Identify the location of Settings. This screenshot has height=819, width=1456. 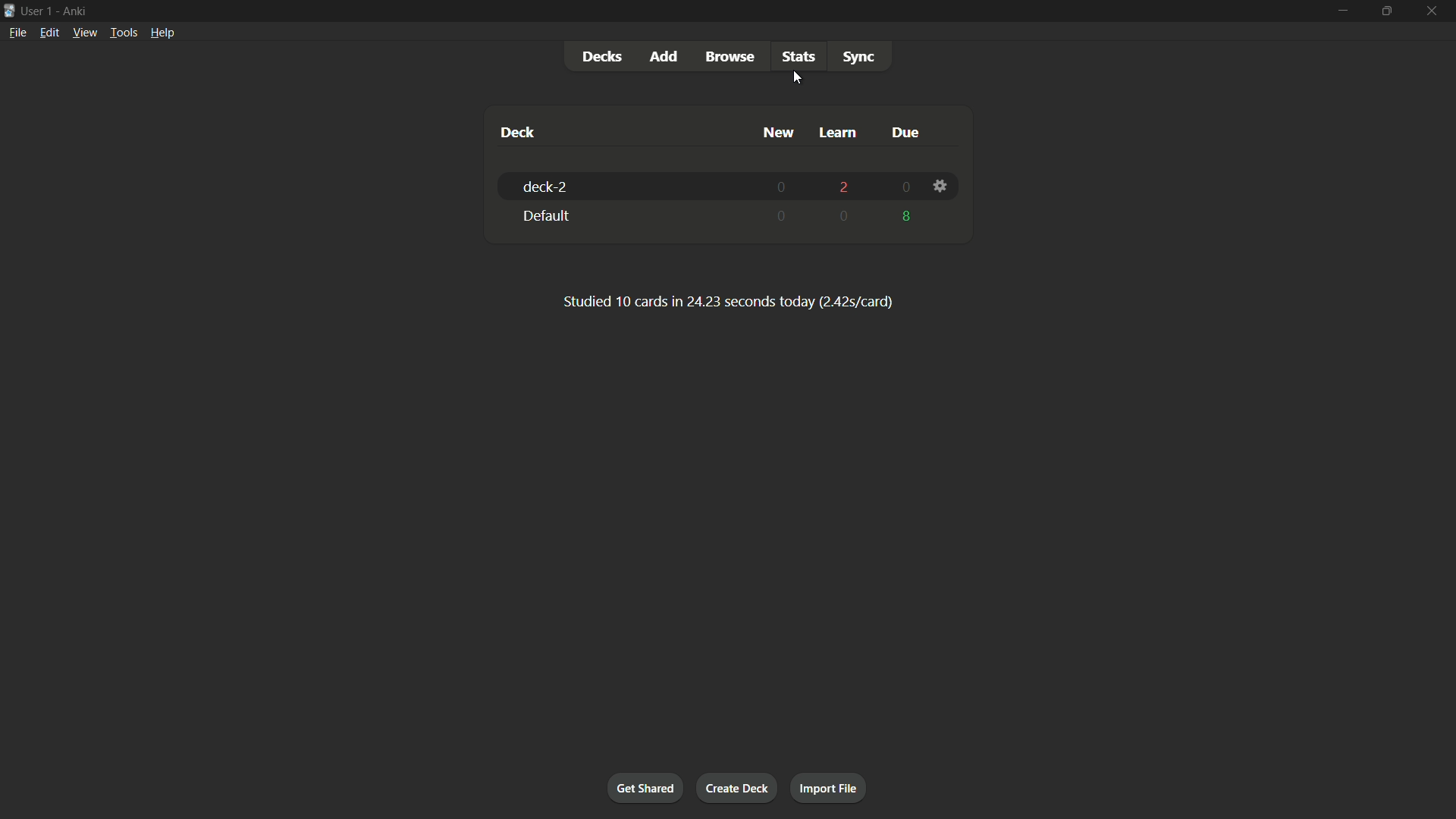
(942, 184).